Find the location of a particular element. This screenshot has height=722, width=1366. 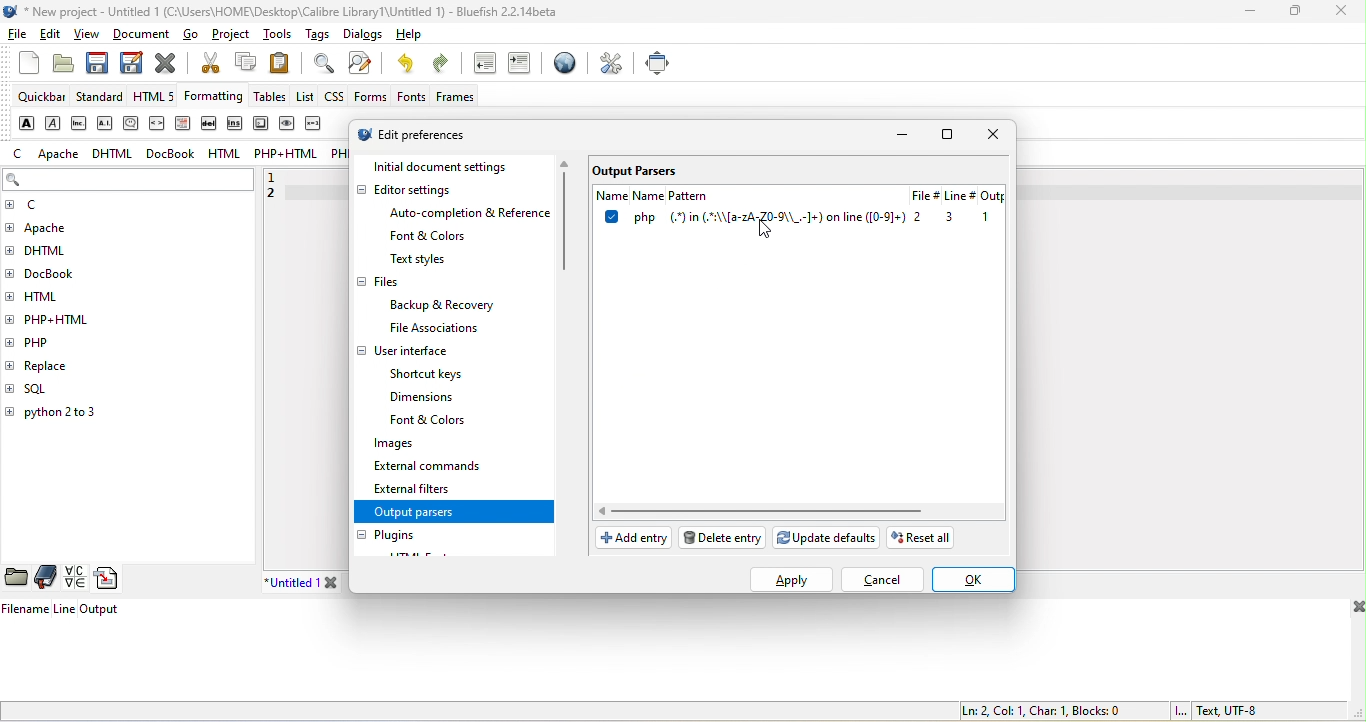

unindent is located at coordinates (482, 65).